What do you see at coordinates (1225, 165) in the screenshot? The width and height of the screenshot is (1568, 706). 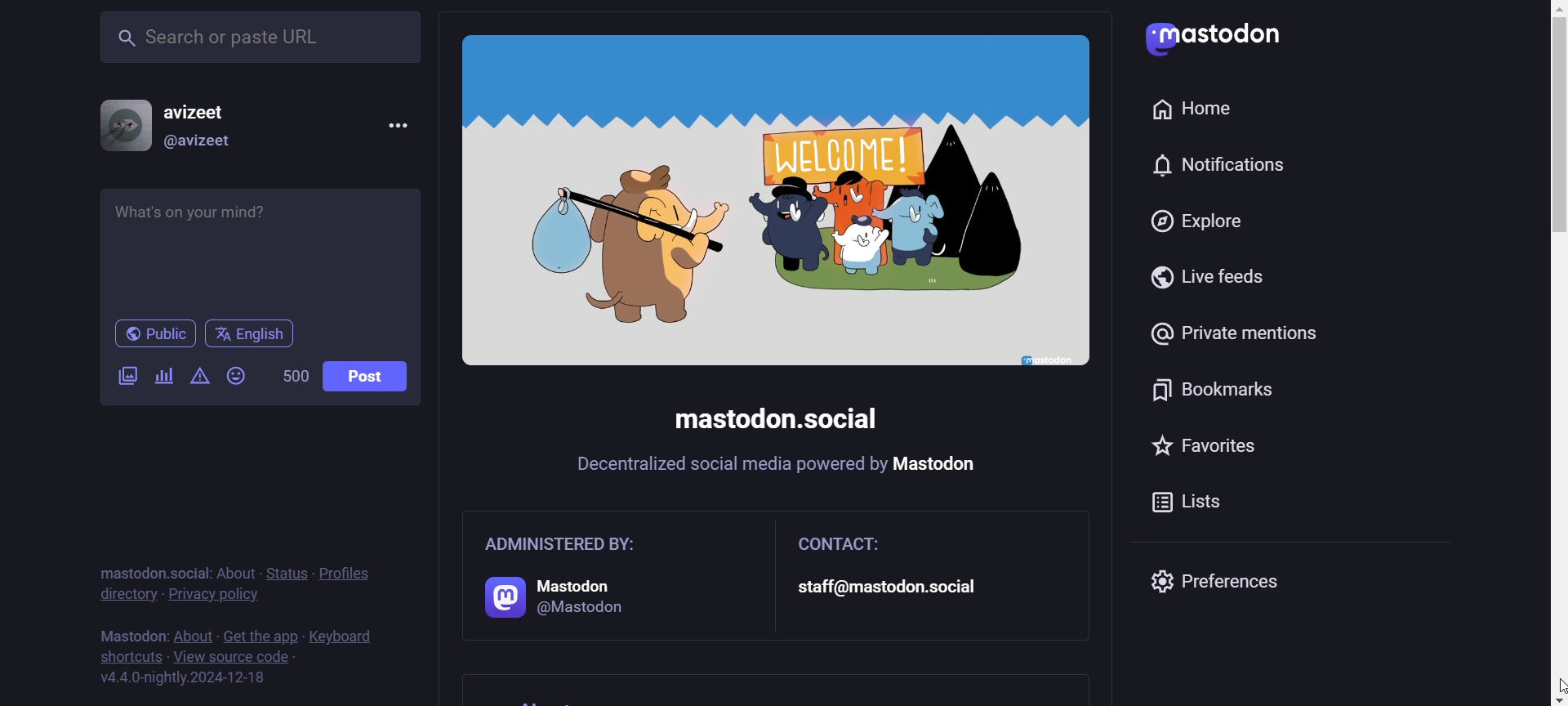 I see `notifications` at bounding box center [1225, 165].